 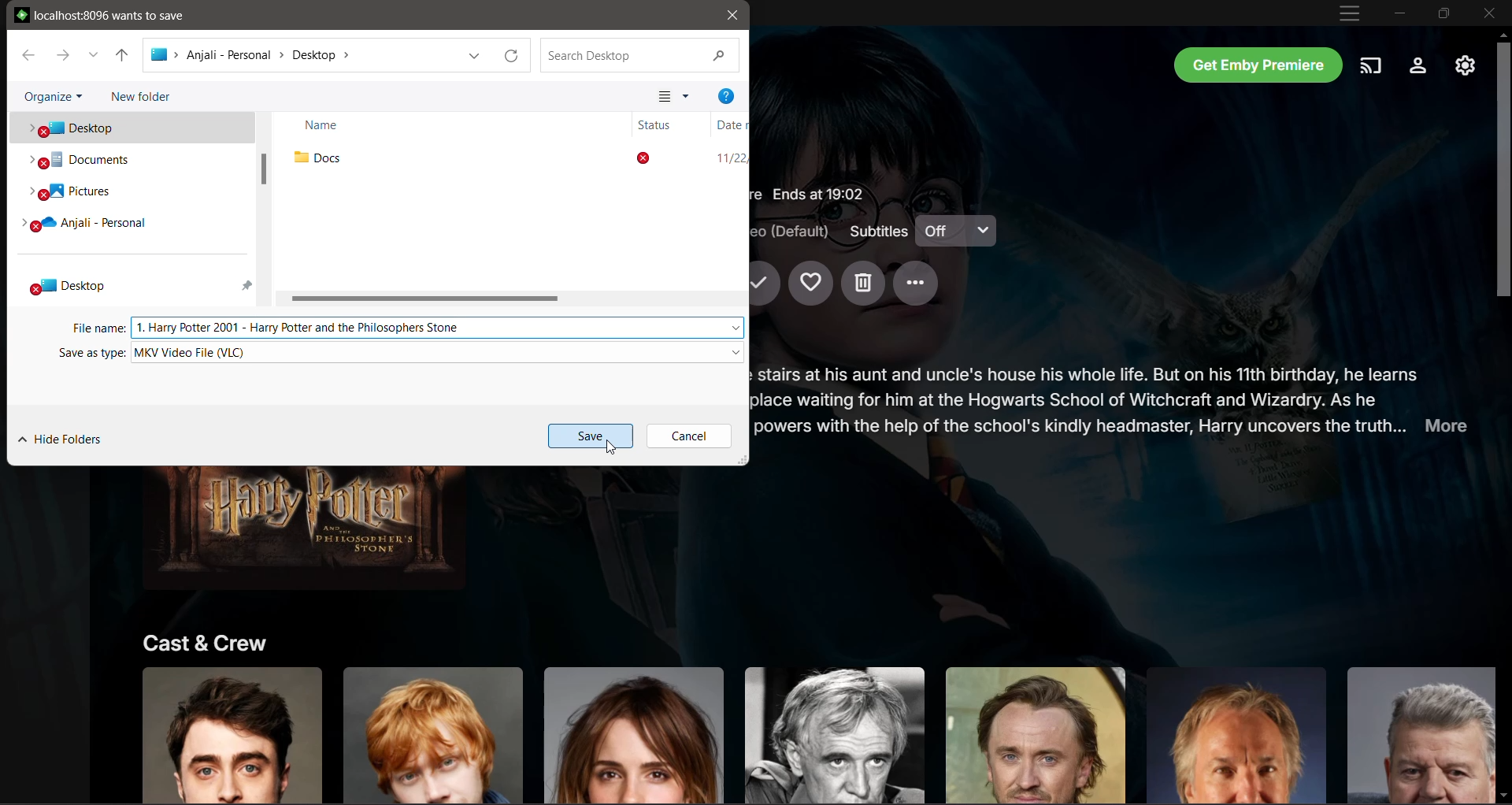 I want to click on Cursor, so click(x=913, y=289).